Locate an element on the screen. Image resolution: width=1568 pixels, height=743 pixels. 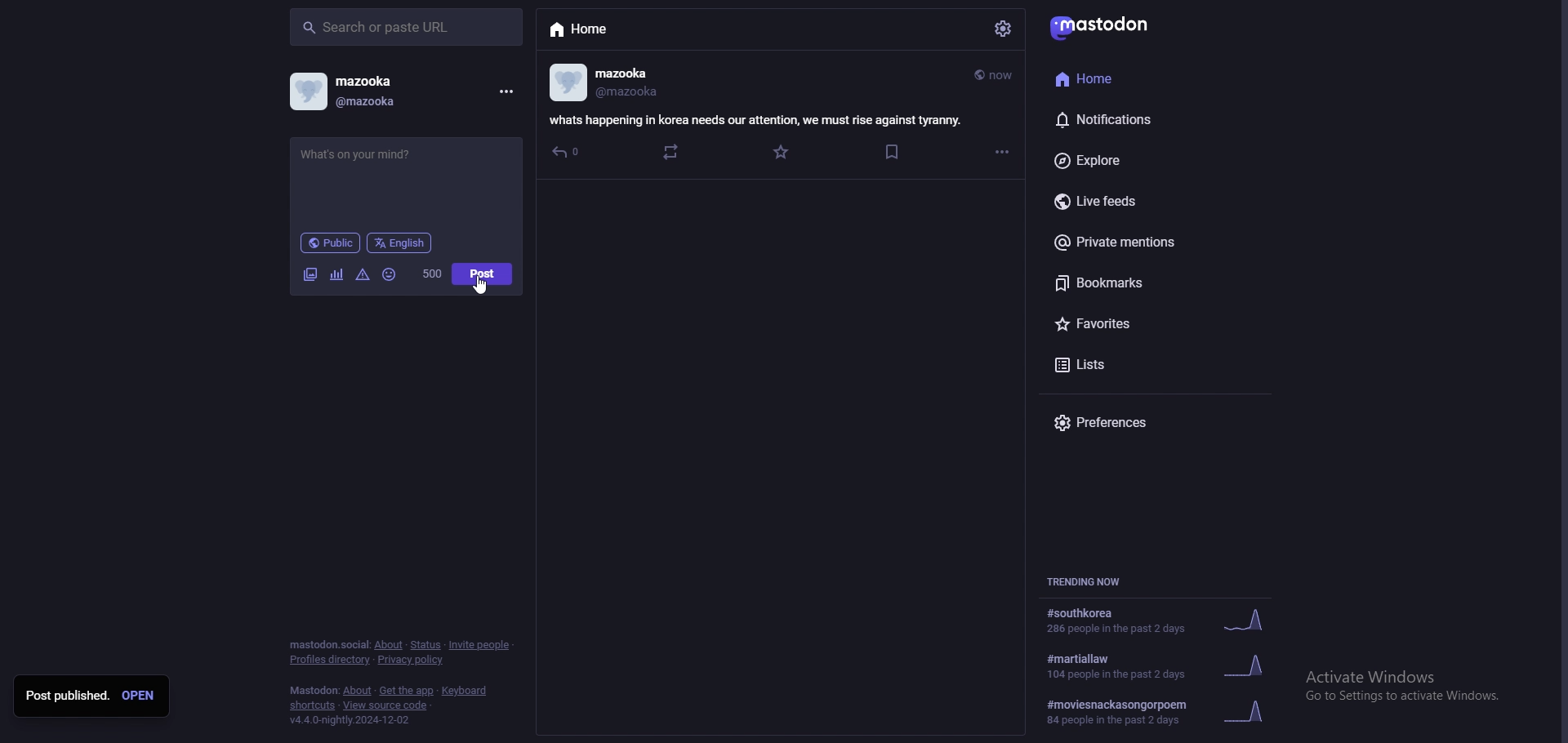
mastodon social is located at coordinates (326, 644).